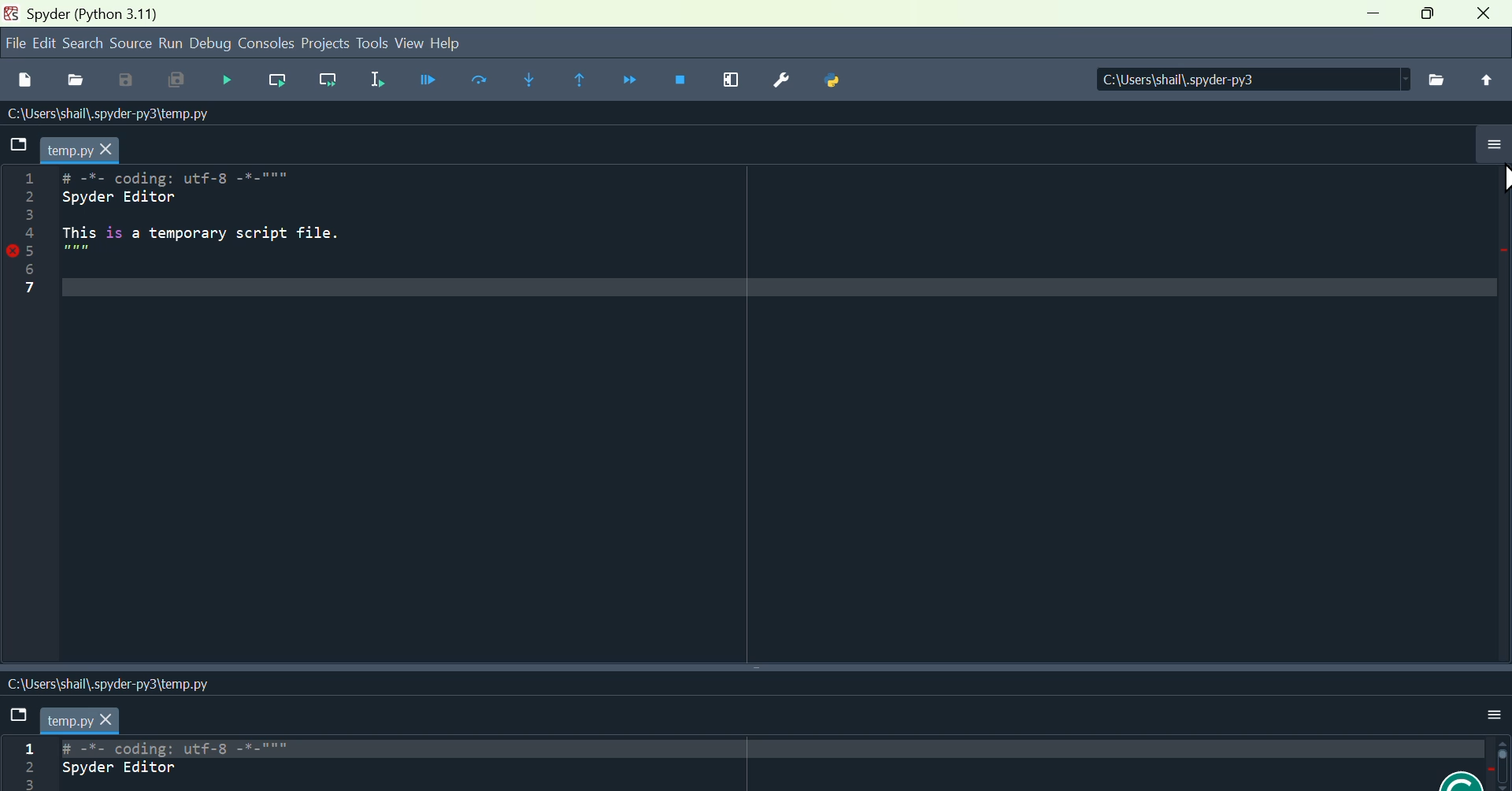  What do you see at coordinates (87, 720) in the screenshot?
I see `filename` at bounding box center [87, 720].